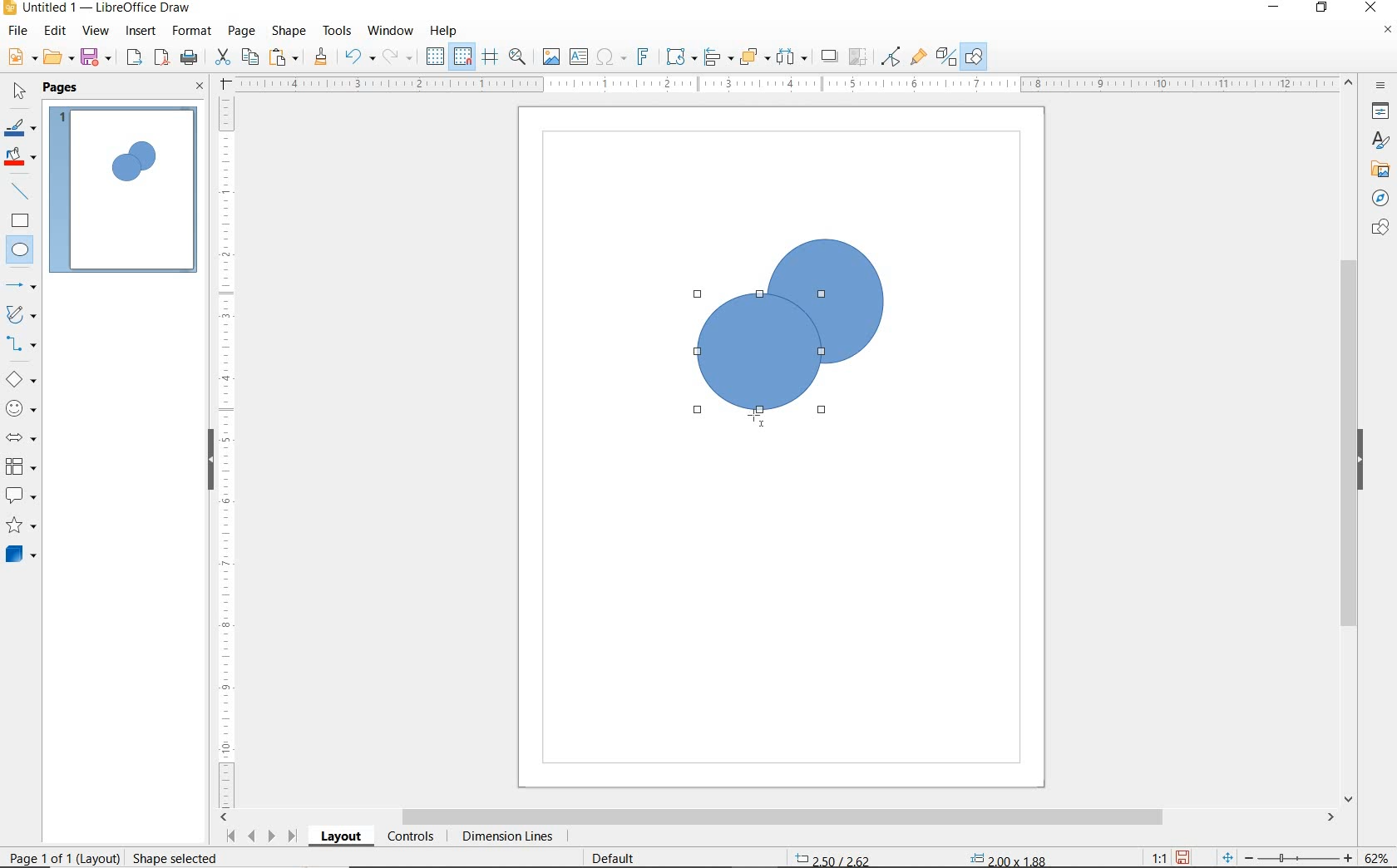  I want to click on SAVE, so click(98, 57).